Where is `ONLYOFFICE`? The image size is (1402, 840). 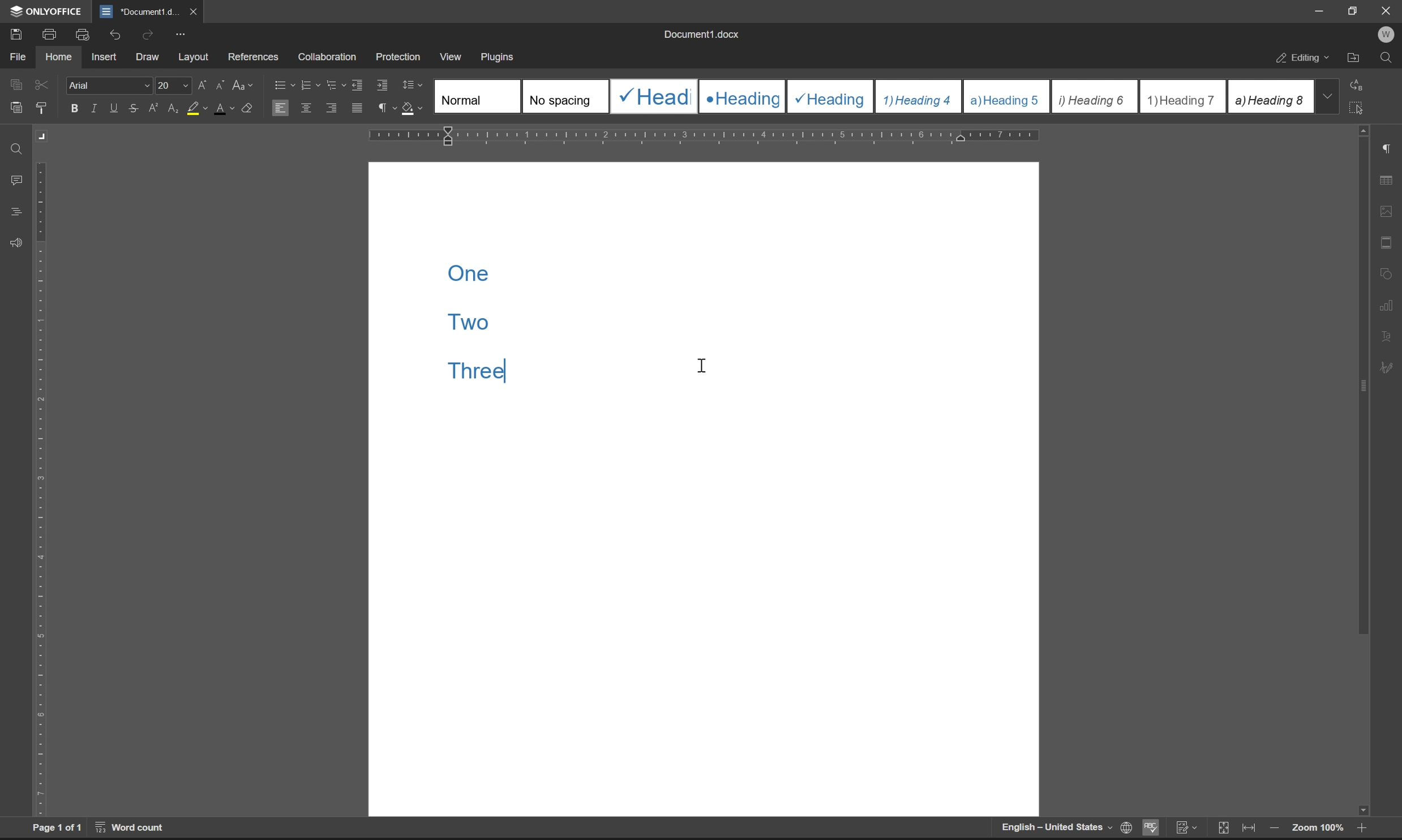 ONLYOFFICE is located at coordinates (48, 11).